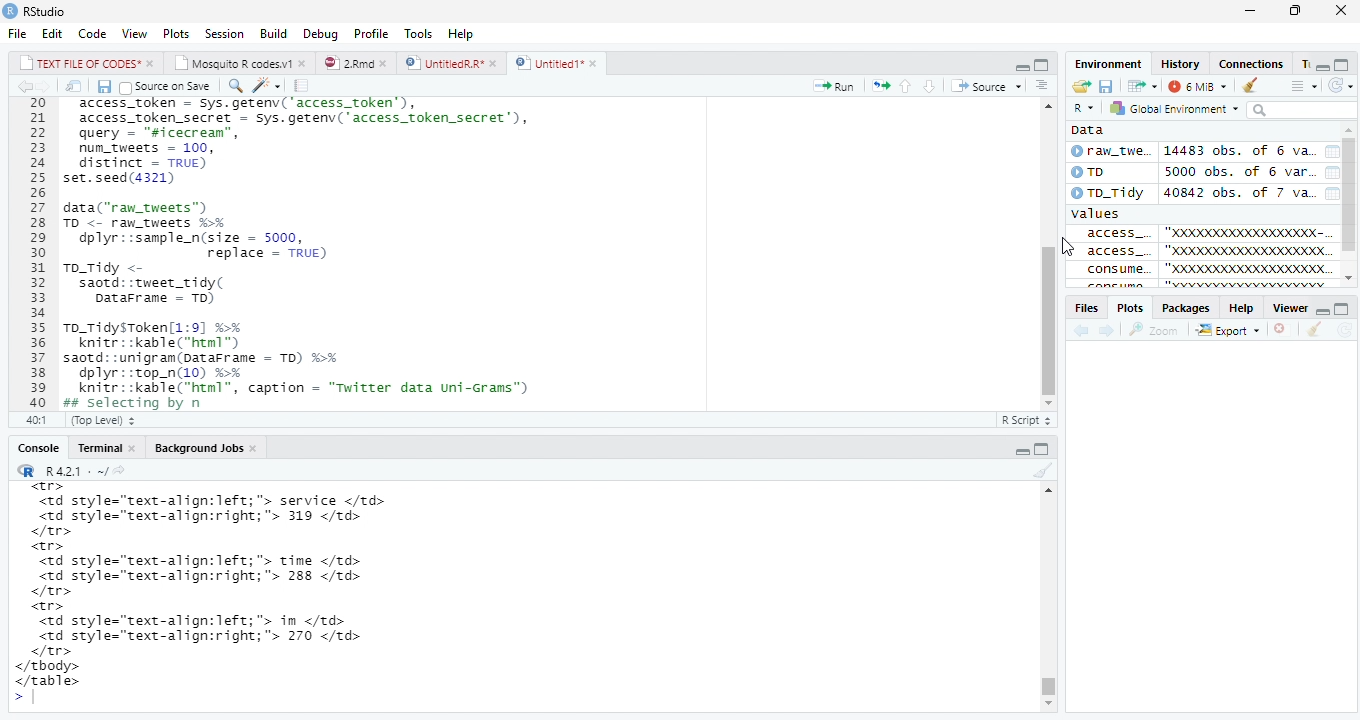 The height and width of the screenshot is (720, 1360). I want to click on minimize/maximize, so click(1336, 306).